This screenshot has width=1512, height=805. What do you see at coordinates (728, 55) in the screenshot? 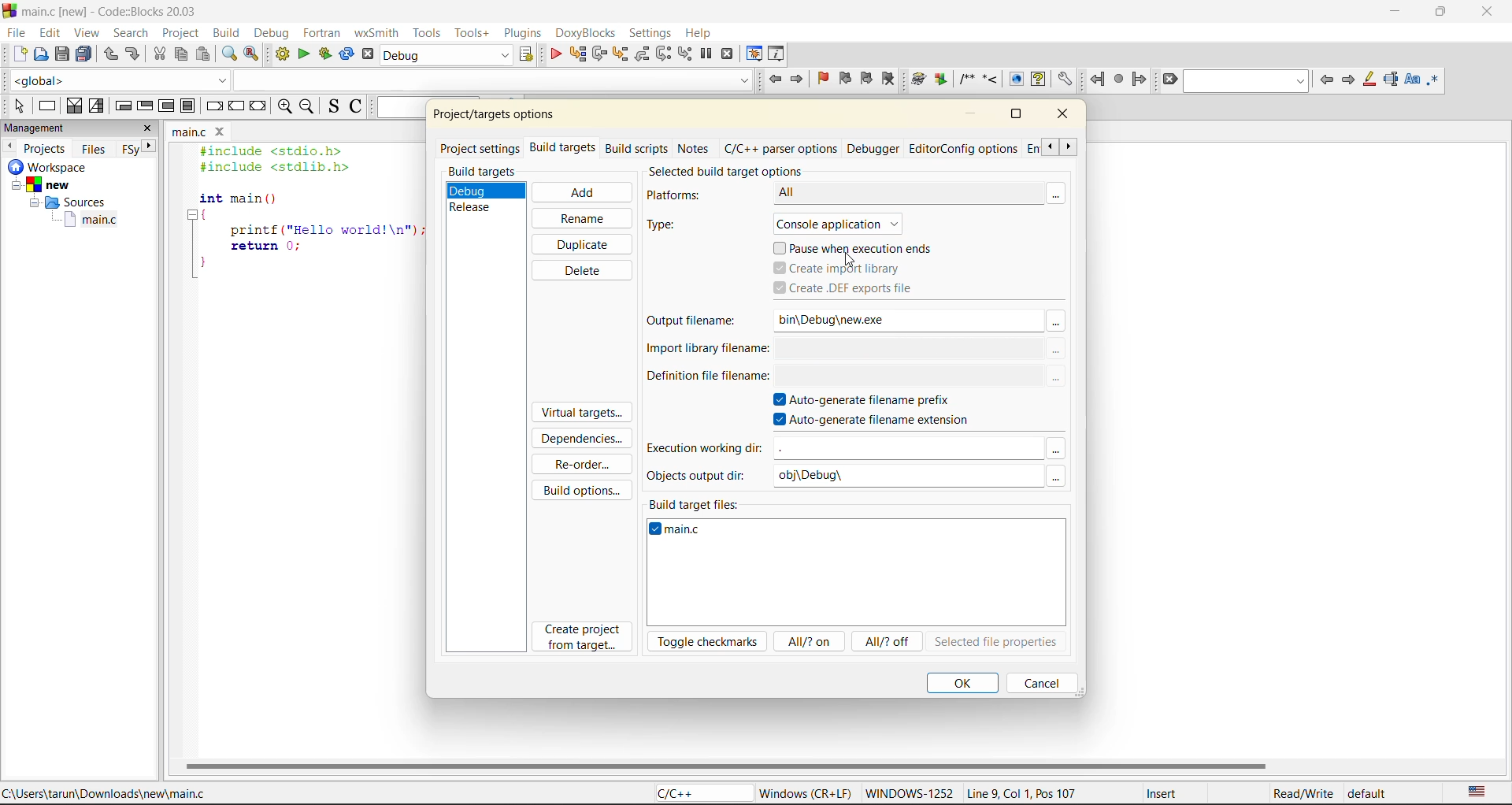
I see `stop debugger` at bounding box center [728, 55].